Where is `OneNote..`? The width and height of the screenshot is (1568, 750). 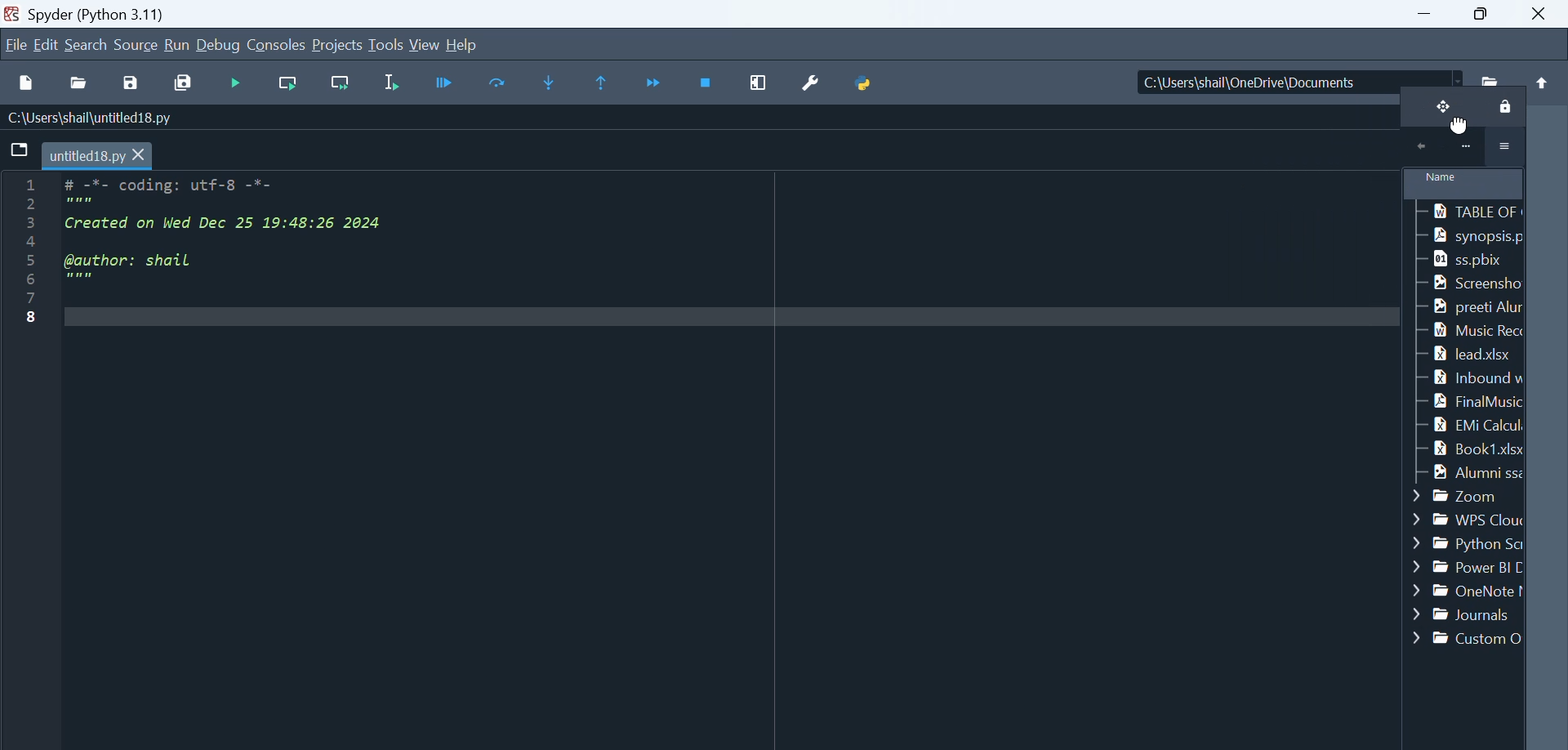 OneNote.. is located at coordinates (1469, 592).